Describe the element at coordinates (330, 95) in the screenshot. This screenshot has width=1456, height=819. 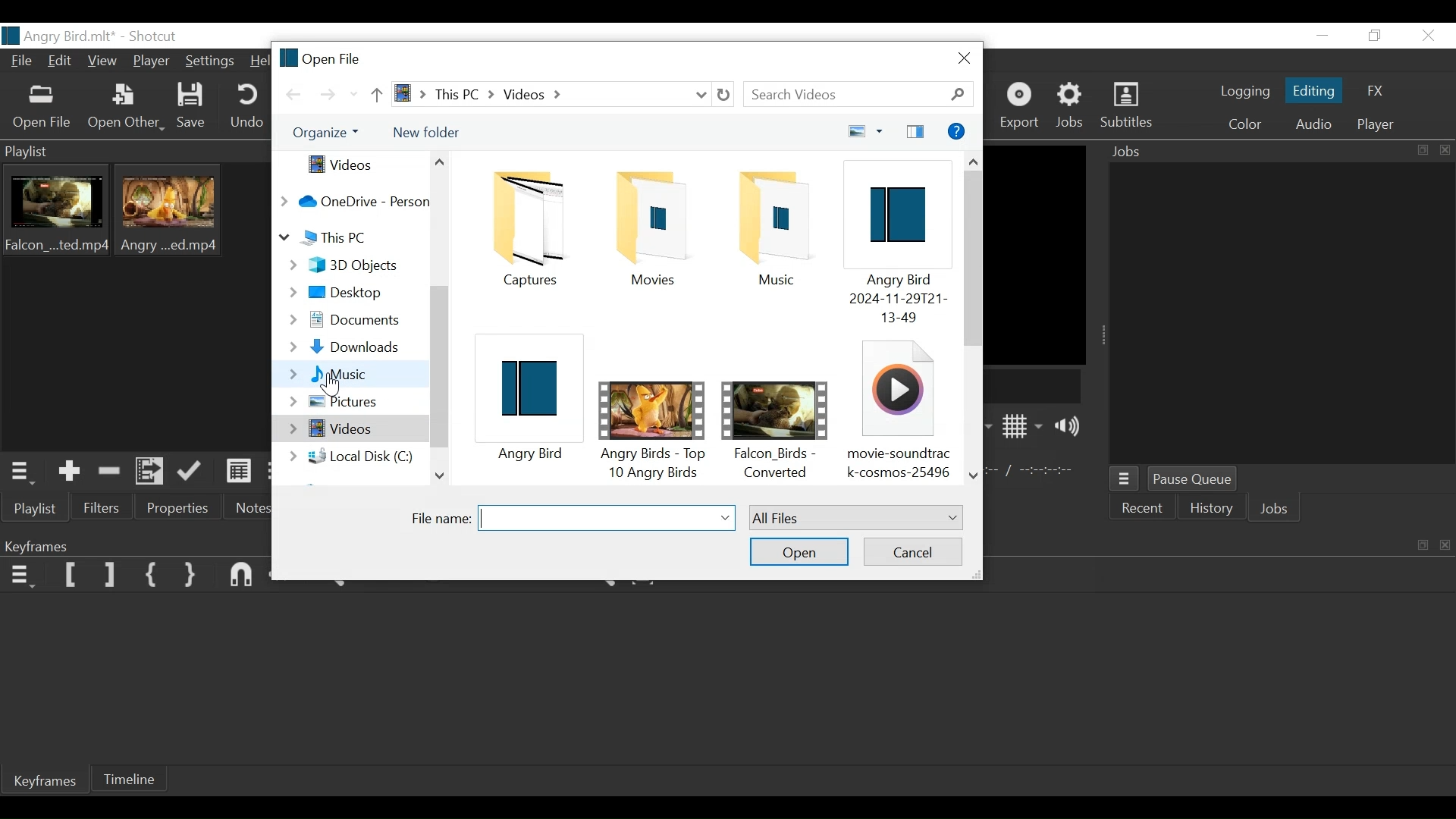
I see `Go Forward` at that location.